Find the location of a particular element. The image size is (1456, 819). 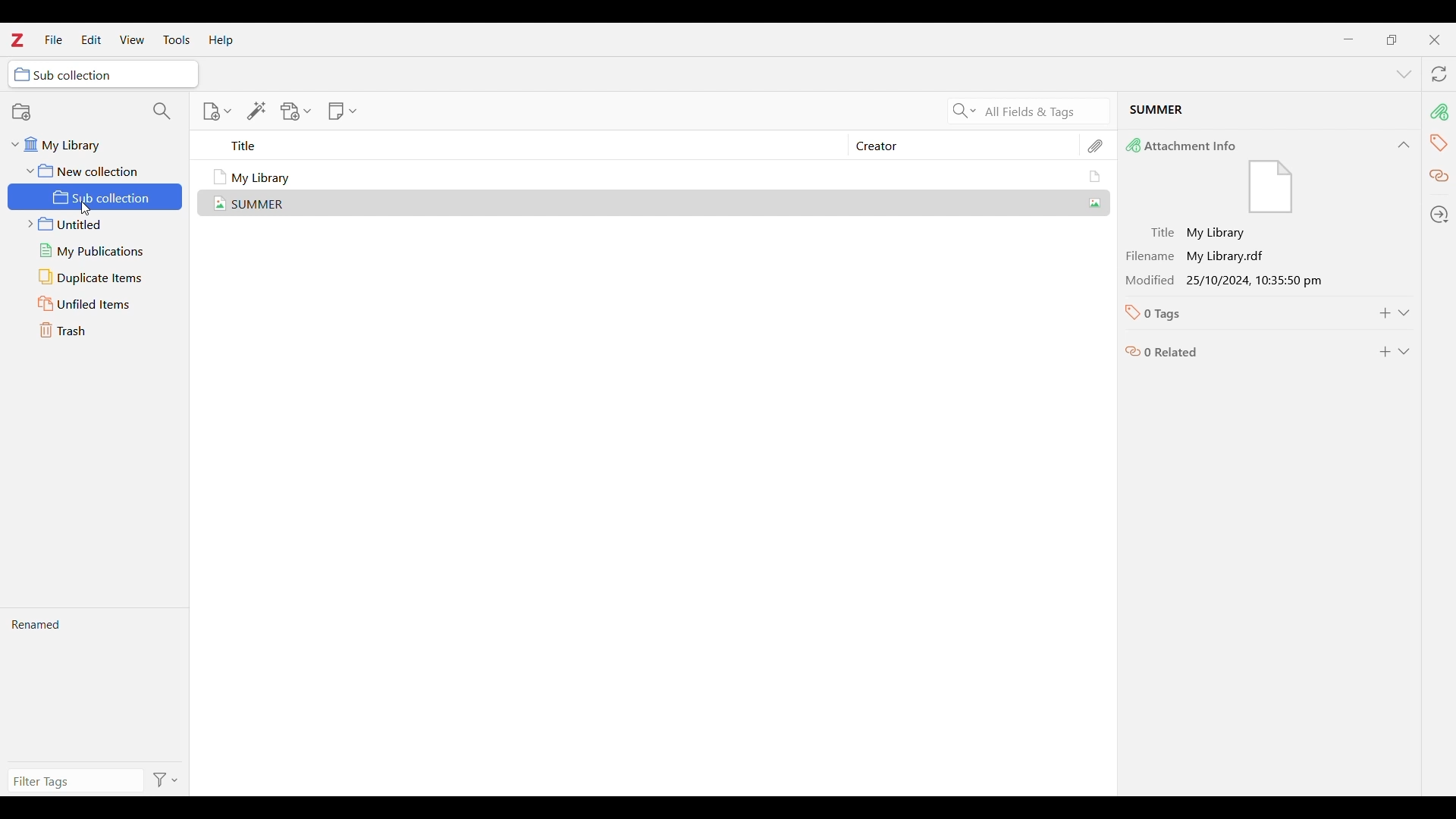

Attachments is located at coordinates (1097, 146).